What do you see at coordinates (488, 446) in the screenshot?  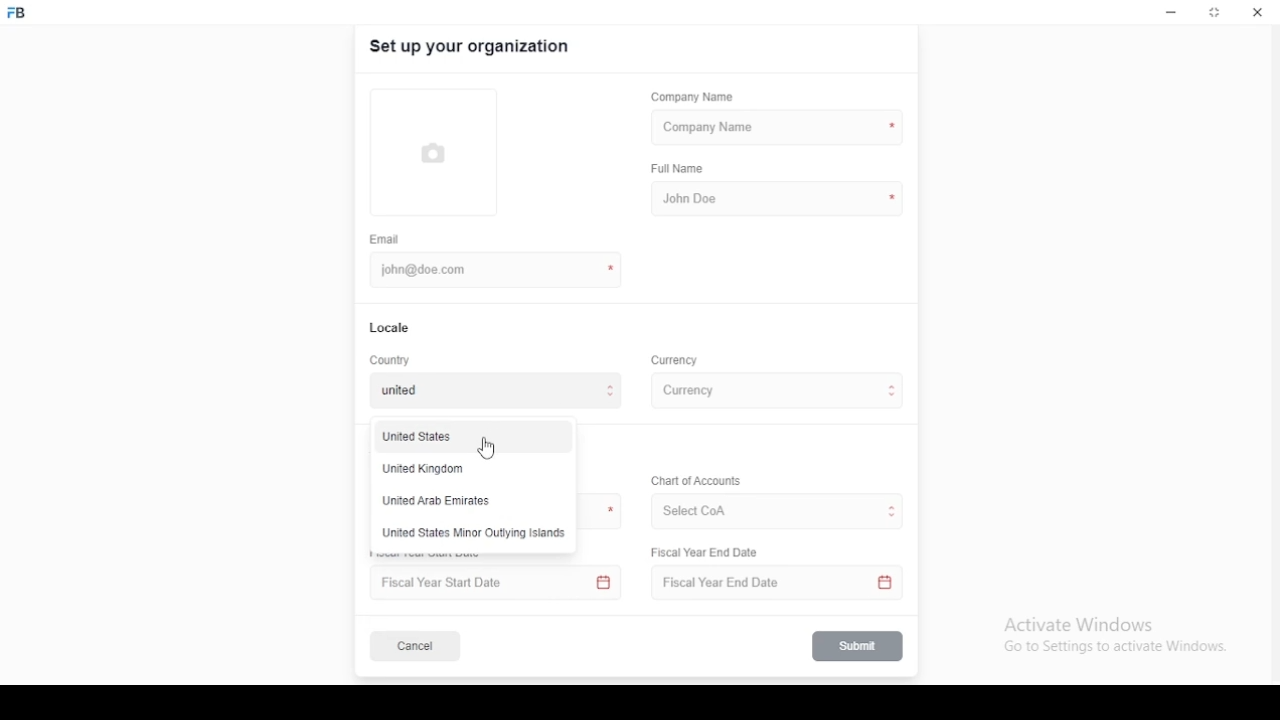 I see `mouse pointer` at bounding box center [488, 446].